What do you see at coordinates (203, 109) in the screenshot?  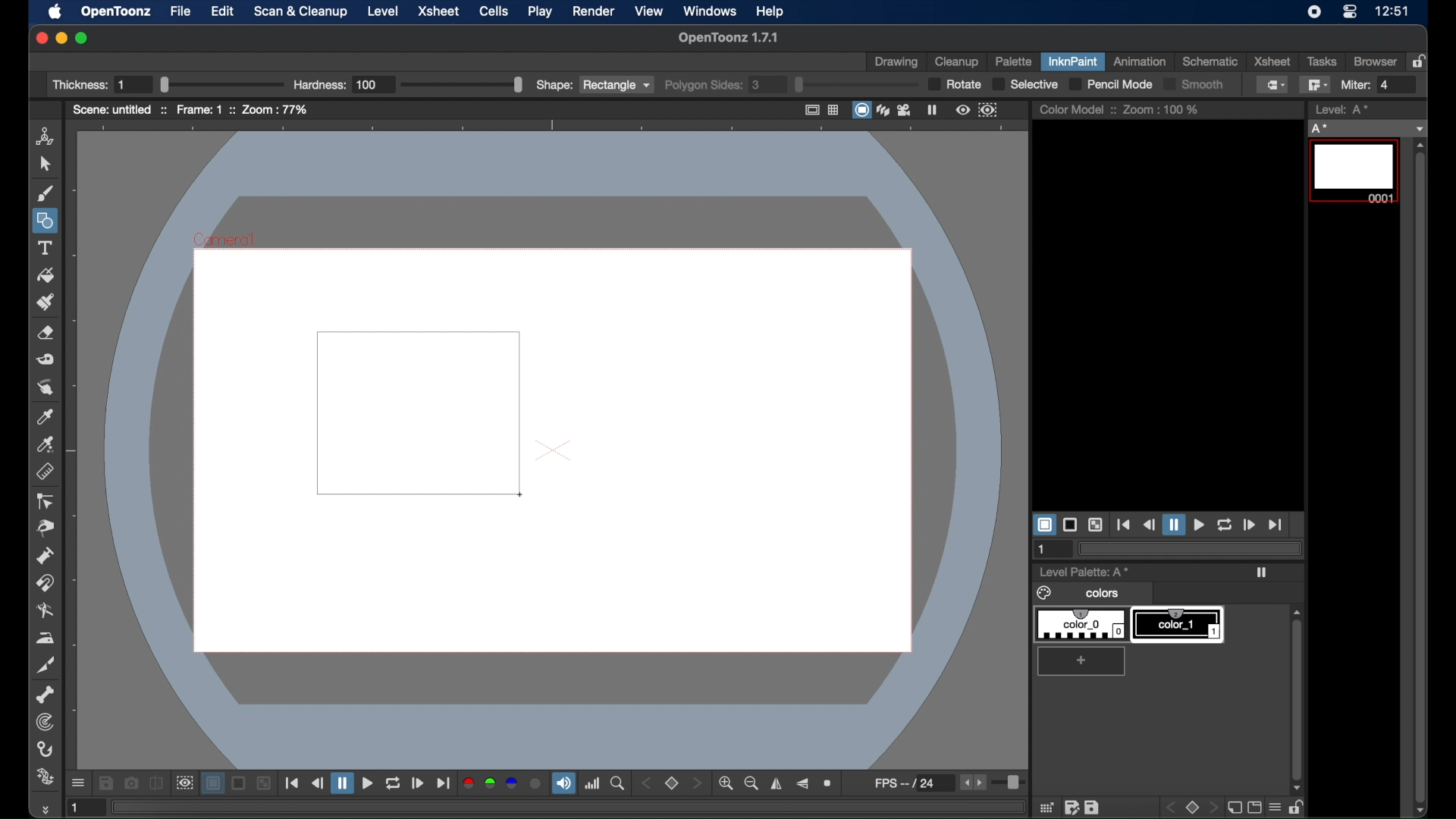 I see `frame: 1` at bounding box center [203, 109].